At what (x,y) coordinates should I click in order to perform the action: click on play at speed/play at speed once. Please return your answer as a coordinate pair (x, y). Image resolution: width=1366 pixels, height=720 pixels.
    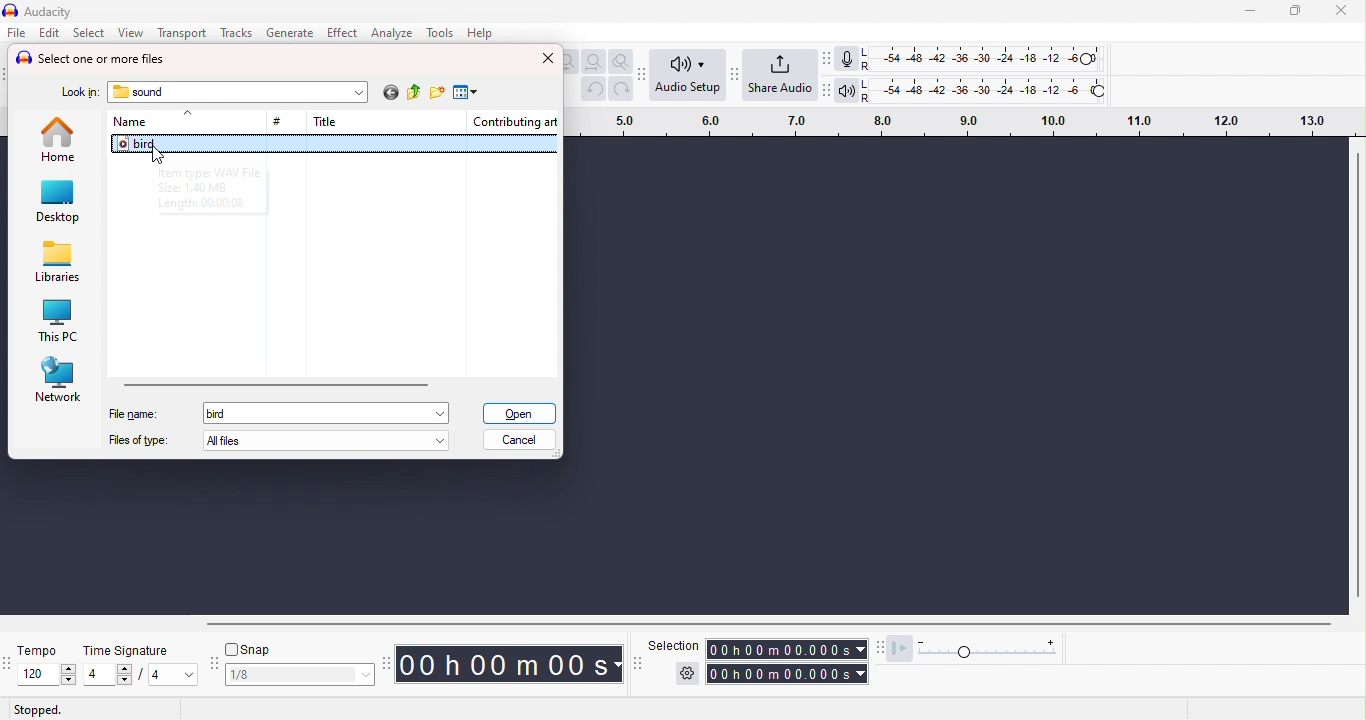
    Looking at the image, I should click on (904, 648).